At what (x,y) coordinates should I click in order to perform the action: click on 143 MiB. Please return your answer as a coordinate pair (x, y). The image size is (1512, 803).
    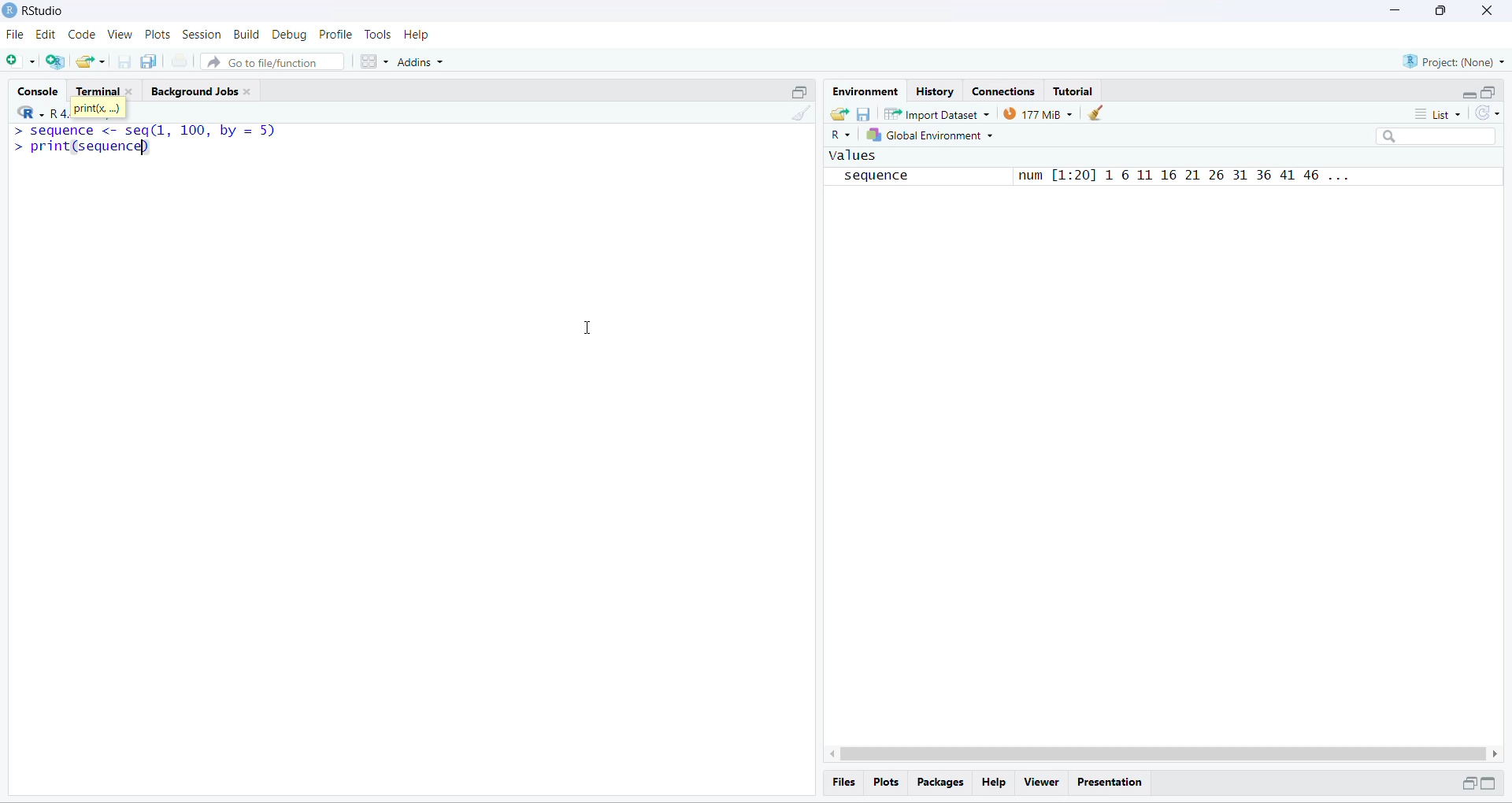
    Looking at the image, I should click on (1037, 113).